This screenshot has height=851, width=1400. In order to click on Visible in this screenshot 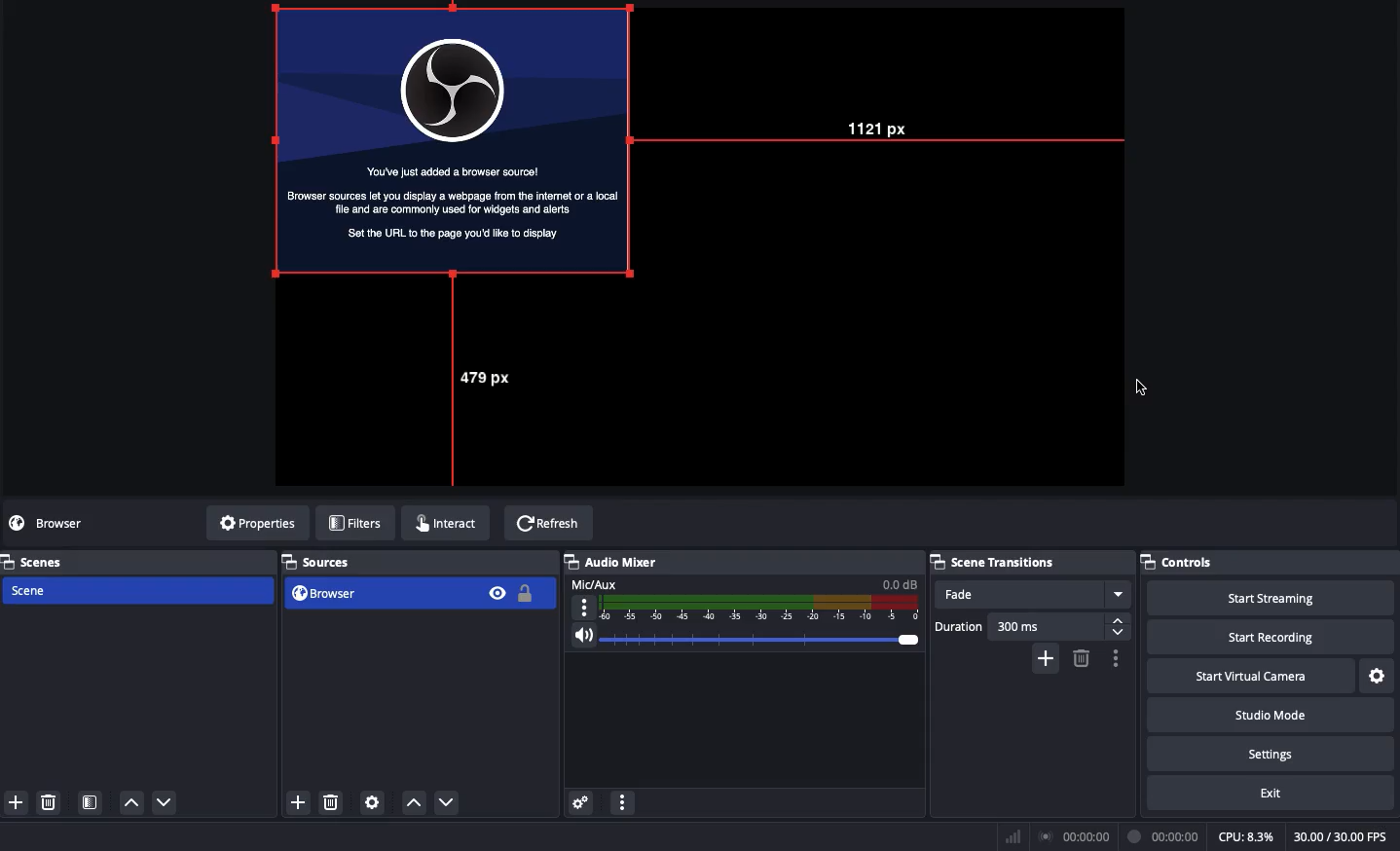, I will do `click(497, 592)`.